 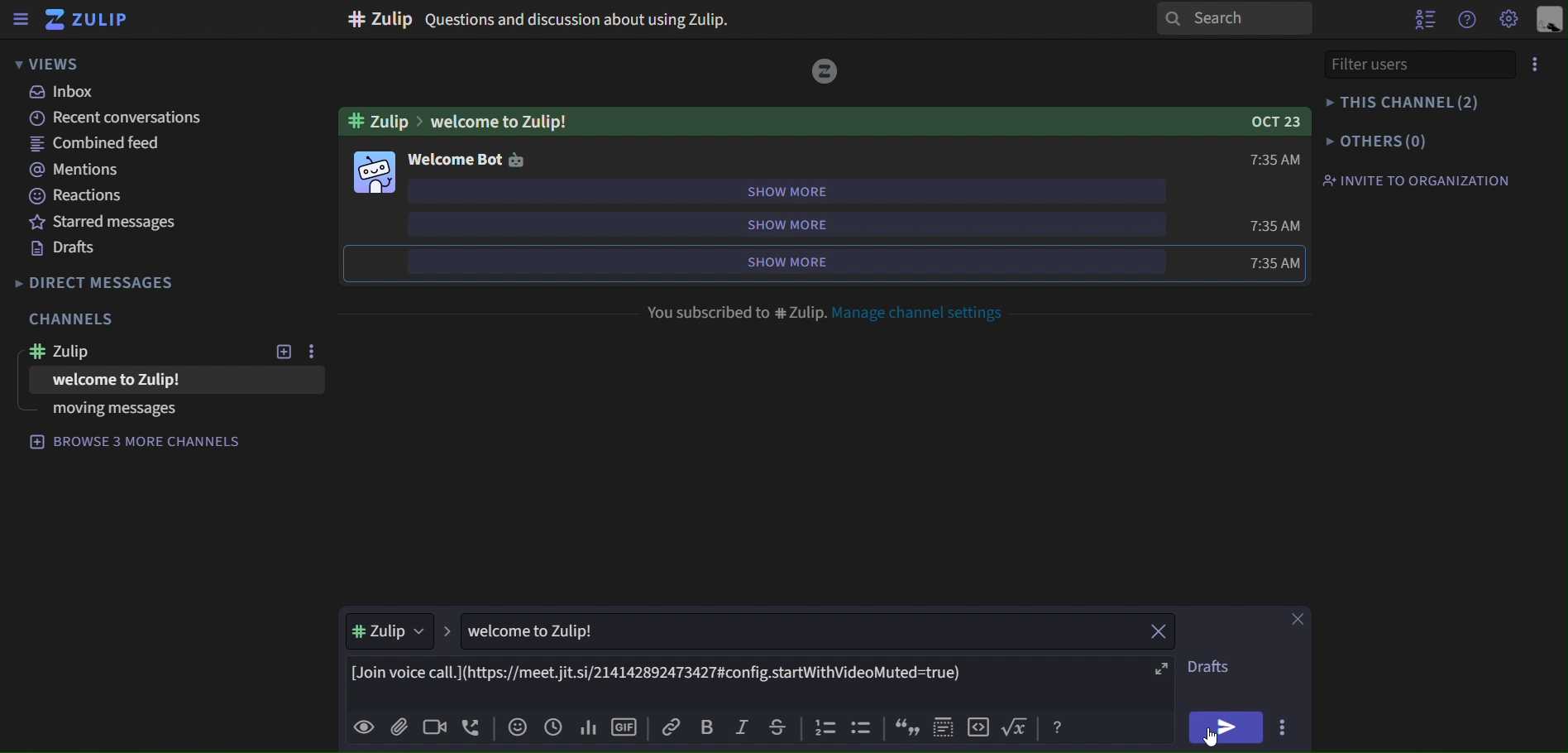 I want to click on help, so click(x=1468, y=22).